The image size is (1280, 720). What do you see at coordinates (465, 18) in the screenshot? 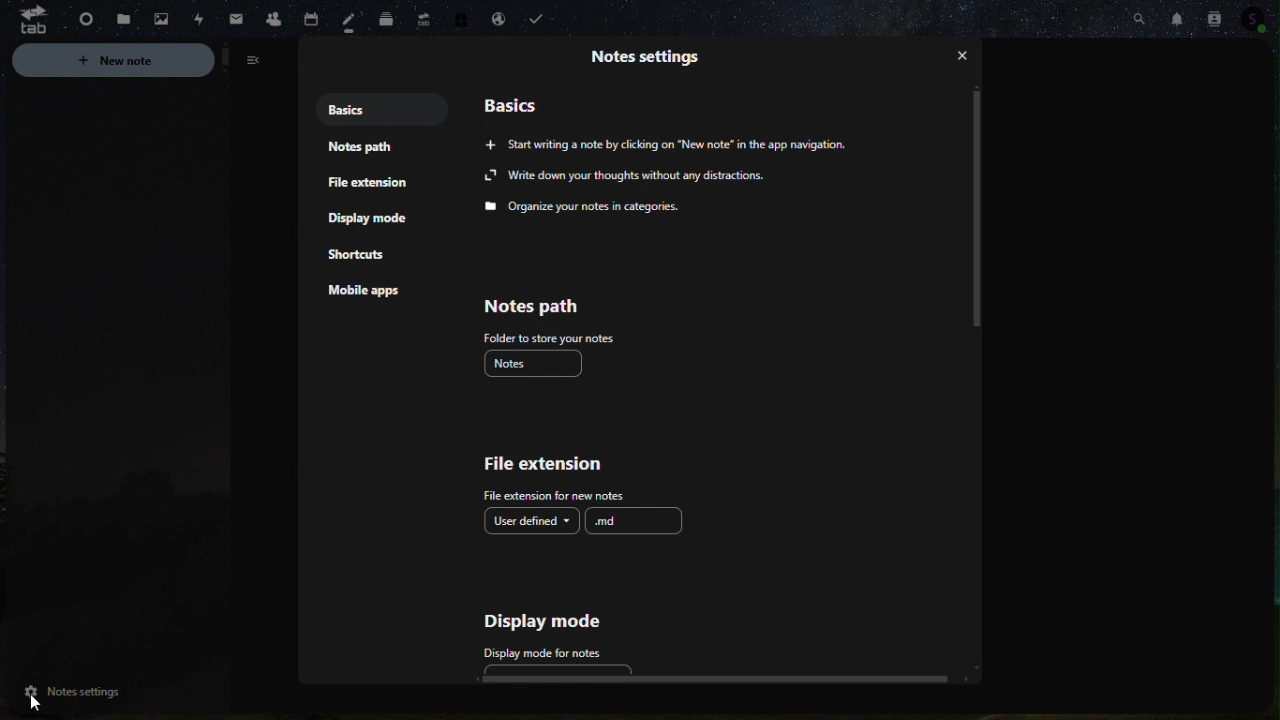
I see `Free trial` at bounding box center [465, 18].